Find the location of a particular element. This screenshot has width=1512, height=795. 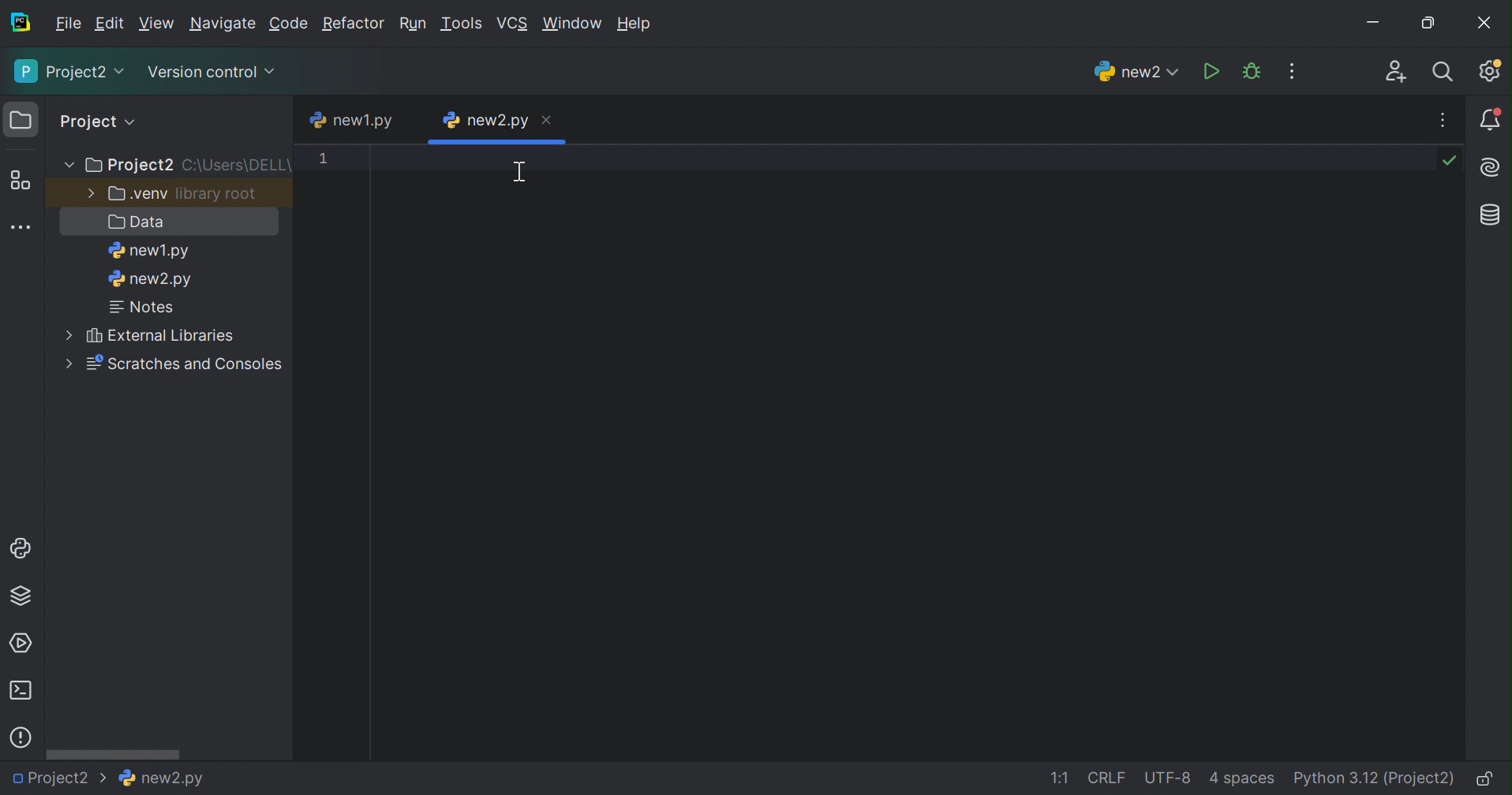

new1.py is located at coordinates (354, 118).